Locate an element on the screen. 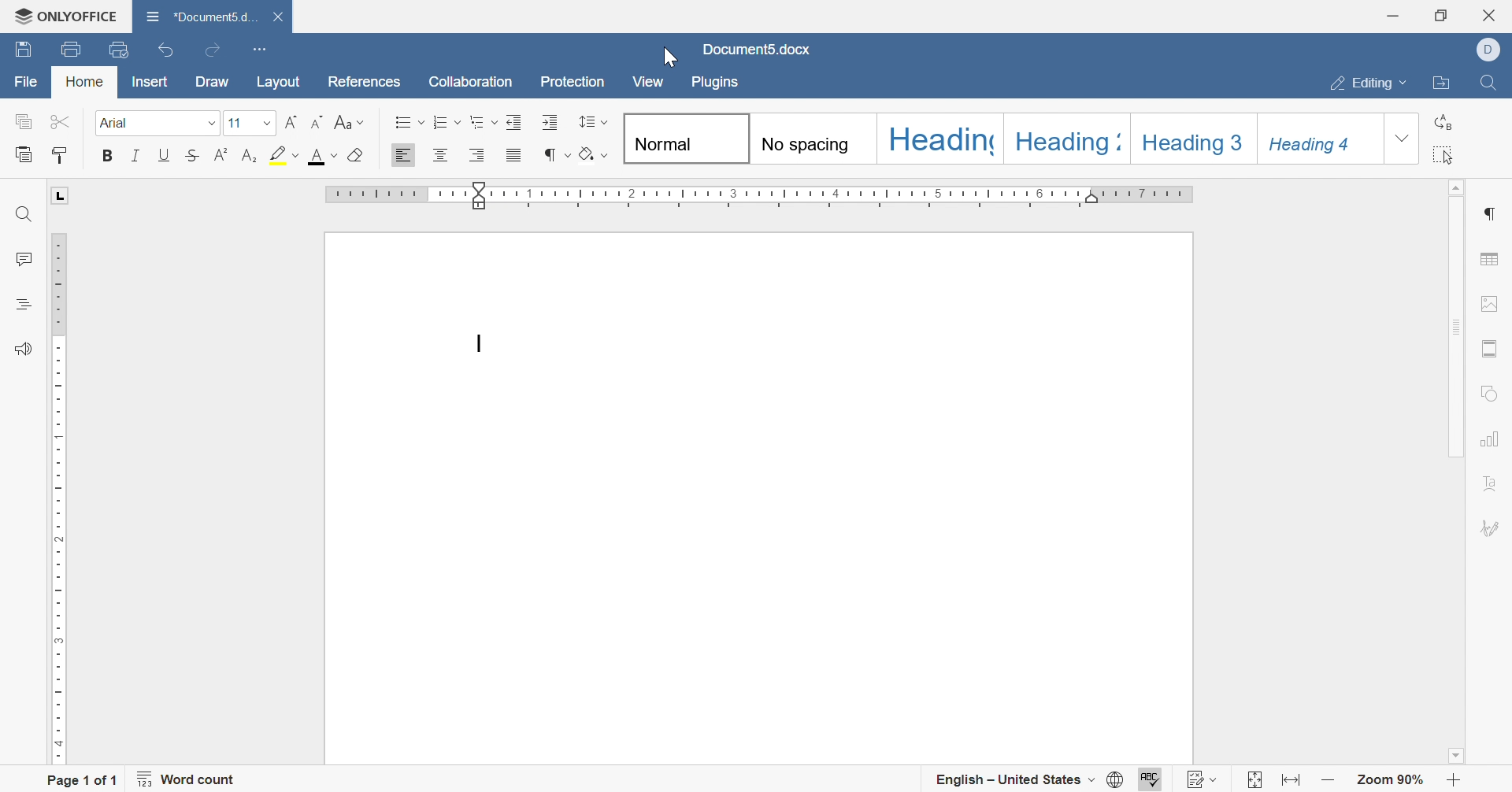  zoom in is located at coordinates (1454, 781).